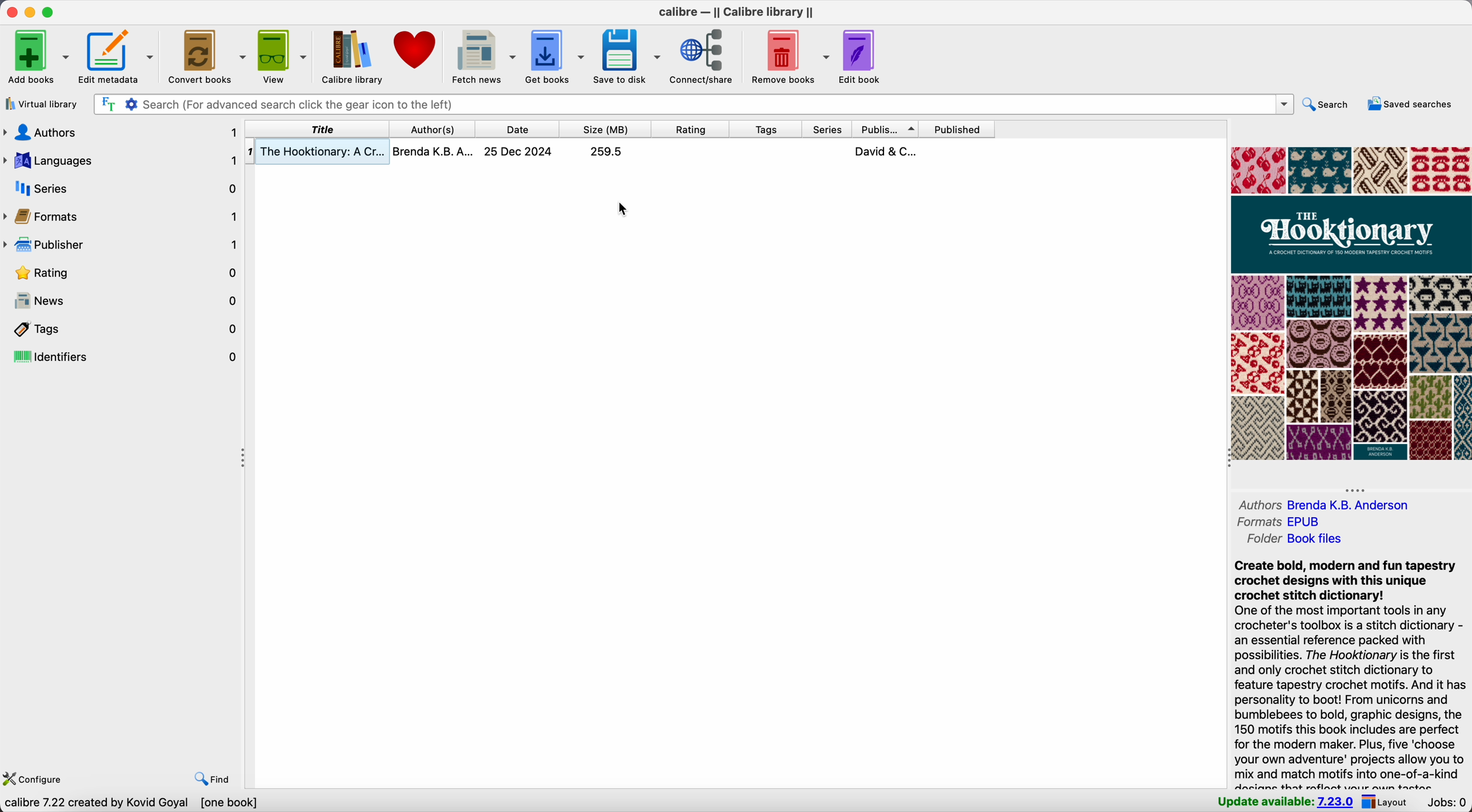 The image size is (1472, 812). Describe the element at coordinates (1294, 539) in the screenshot. I see `folder Book files` at that location.